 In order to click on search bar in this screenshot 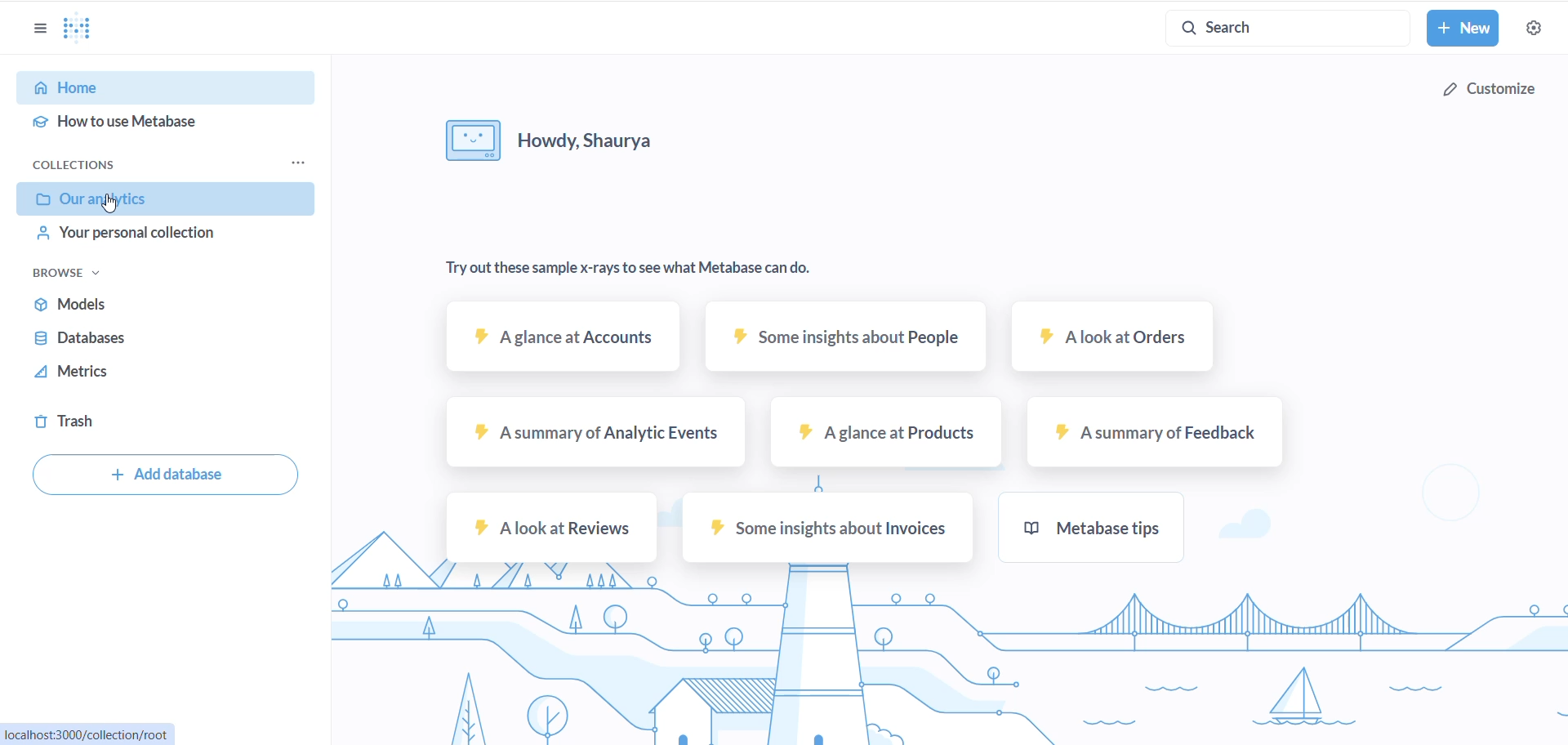, I will do `click(1277, 24)`.